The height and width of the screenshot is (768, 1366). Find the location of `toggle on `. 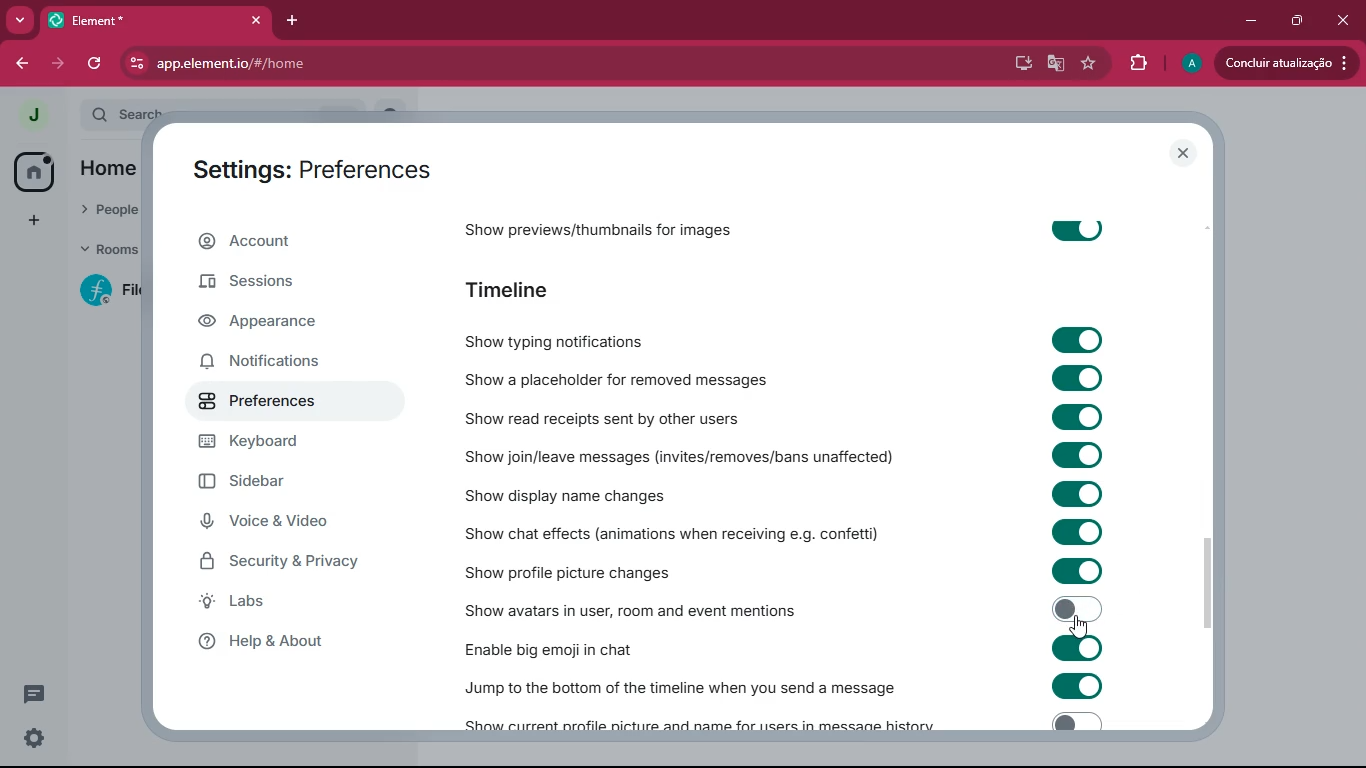

toggle on  is located at coordinates (1077, 533).